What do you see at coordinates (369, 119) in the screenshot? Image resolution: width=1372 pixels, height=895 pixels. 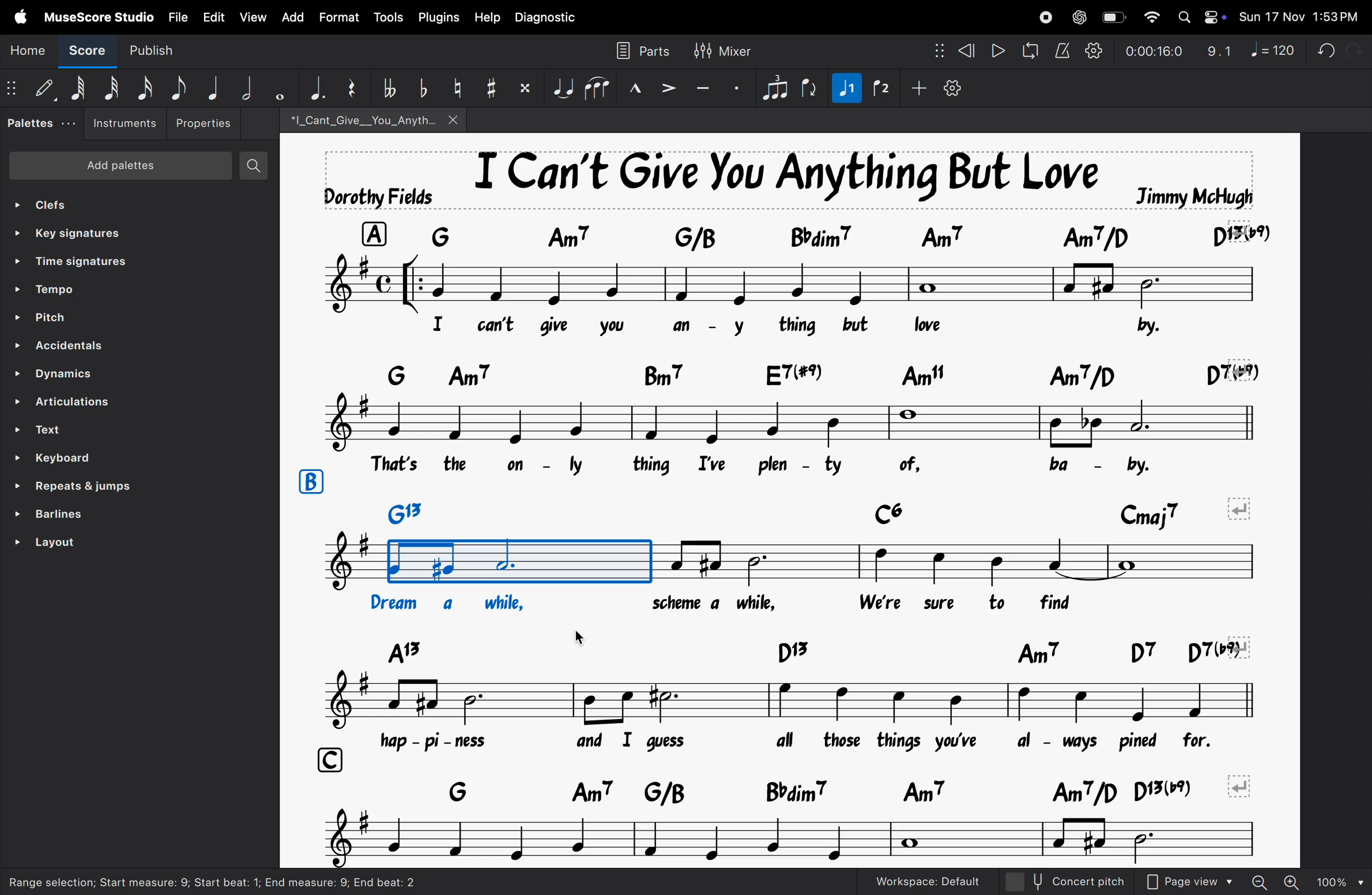 I see `song` at bounding box center [369, 119].